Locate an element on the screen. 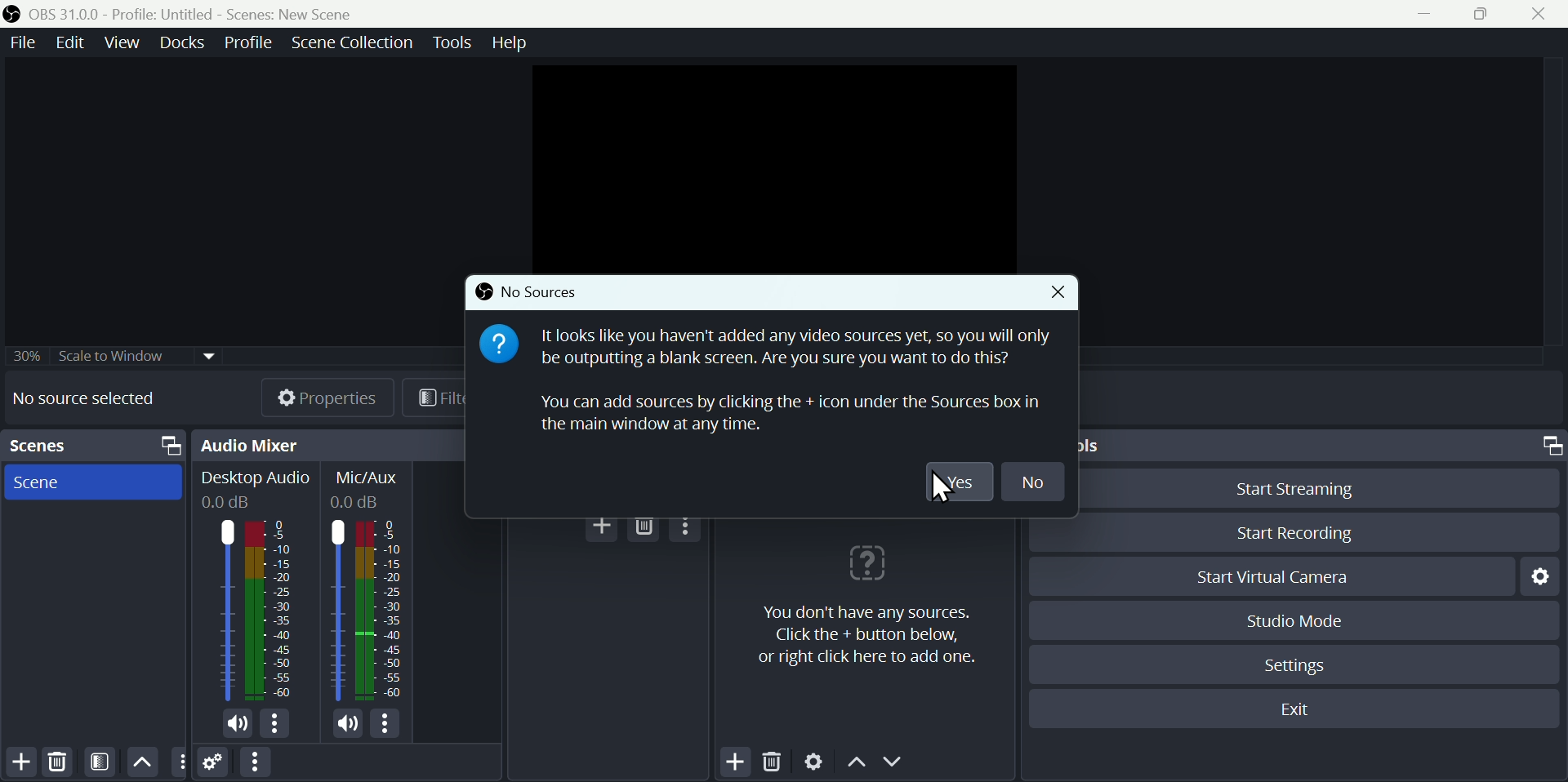  Exit is located at coordinates (1290, 711).